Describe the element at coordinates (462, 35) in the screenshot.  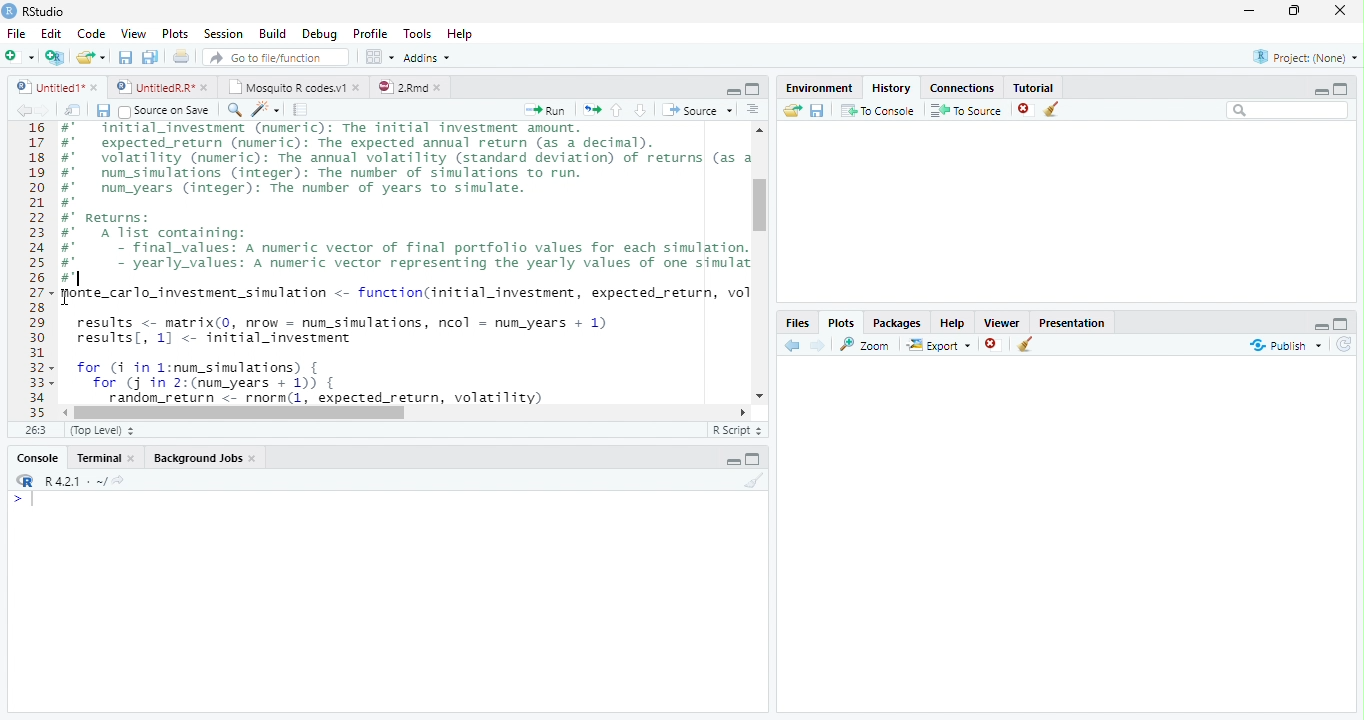
I see `Help` at that location.